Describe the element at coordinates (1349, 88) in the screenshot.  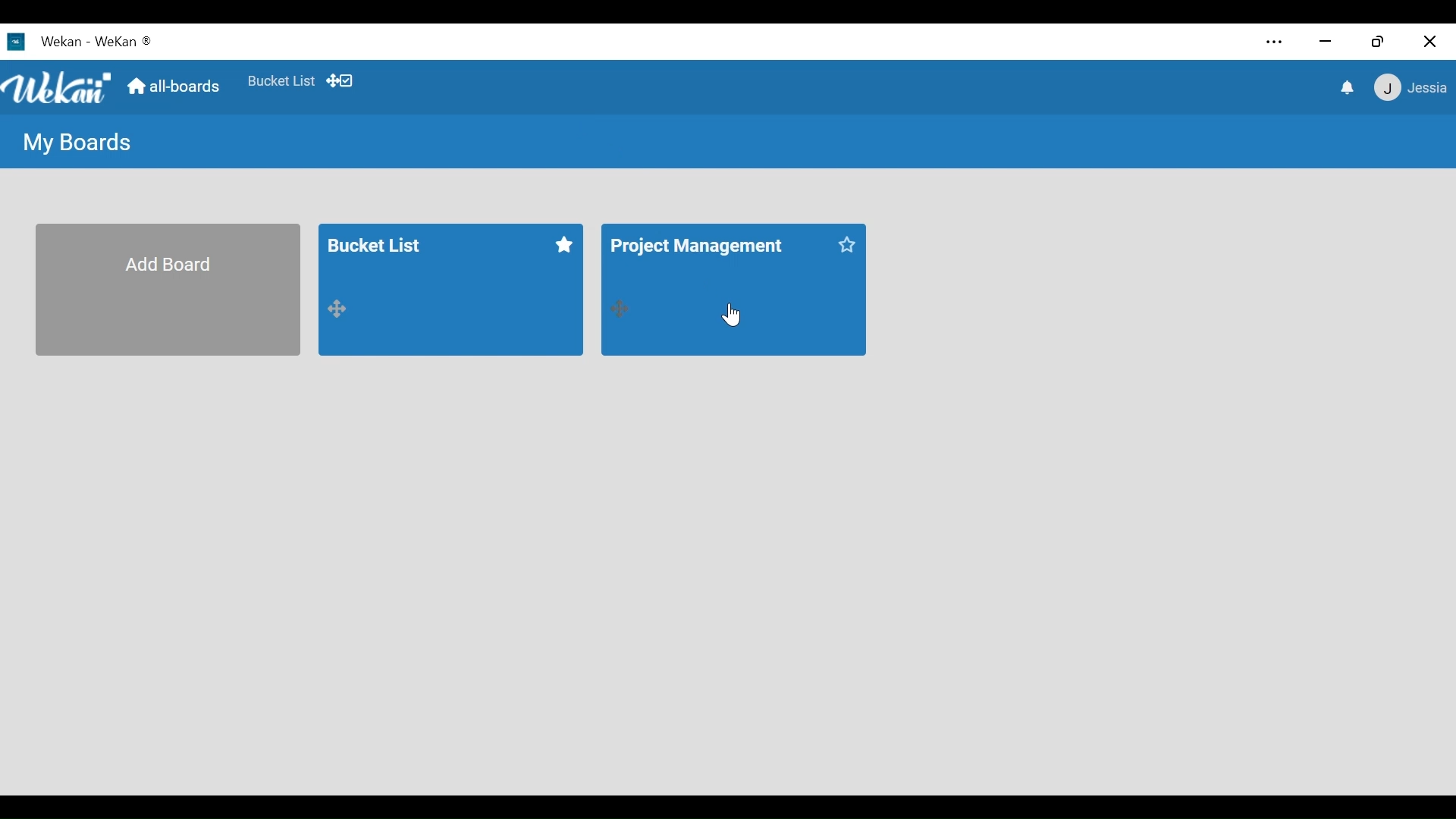
I see `notifications` at that location.